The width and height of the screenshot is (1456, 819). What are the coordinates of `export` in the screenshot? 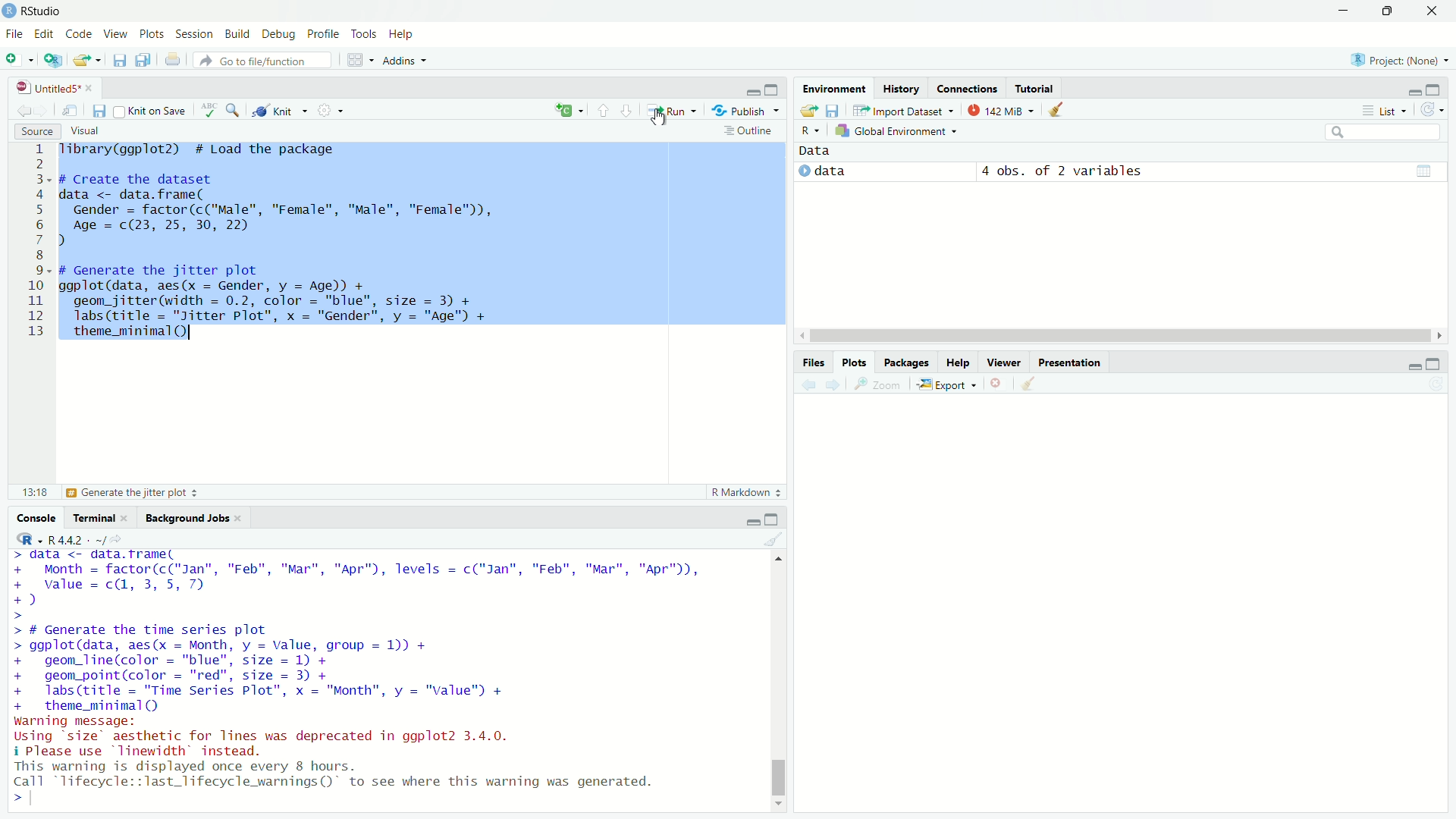 It's located at (949, 385).